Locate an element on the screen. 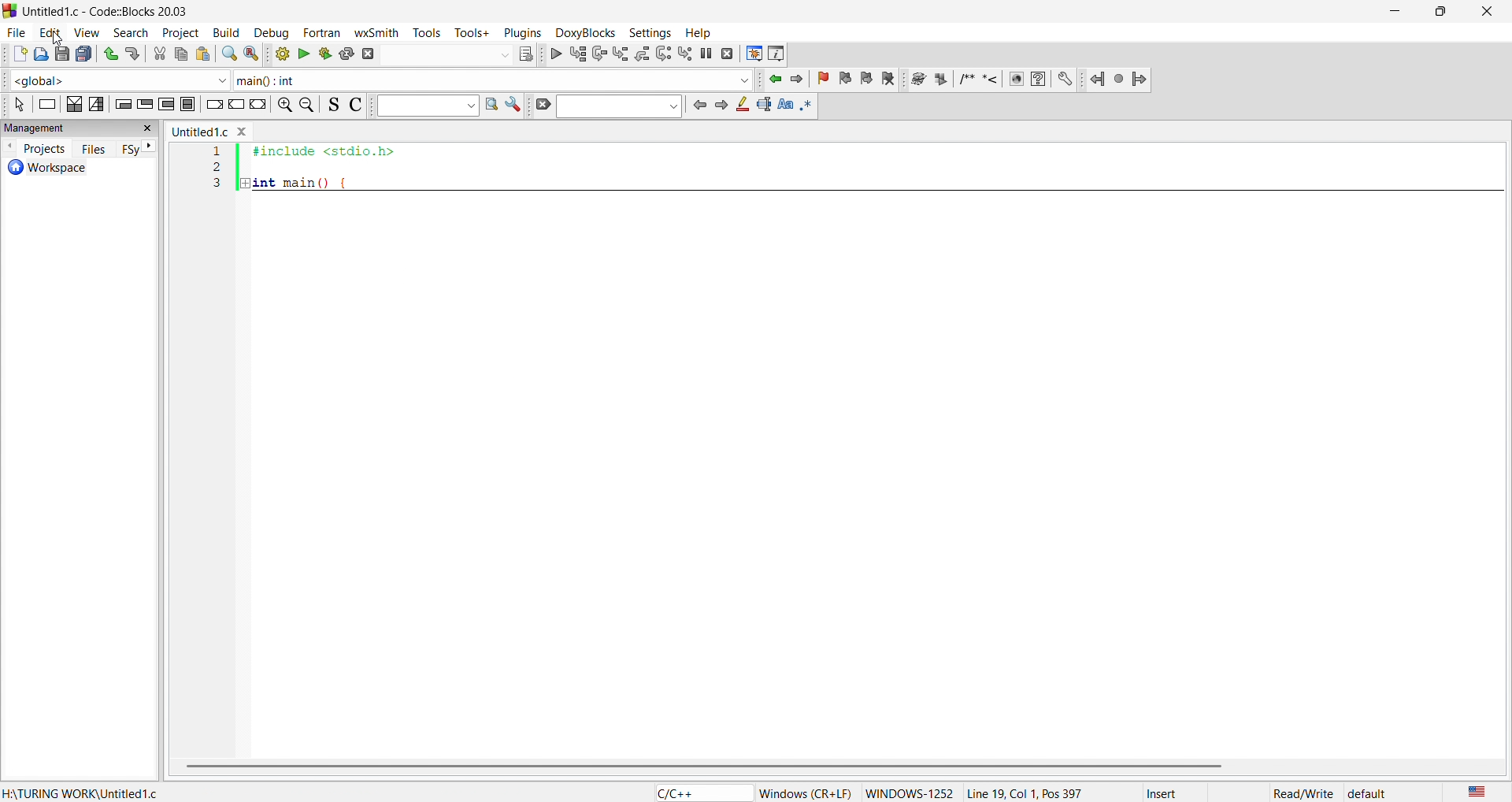 The width and height of the screenshot is (1512, 802). stop debugging is located at coordinates (728, 54).